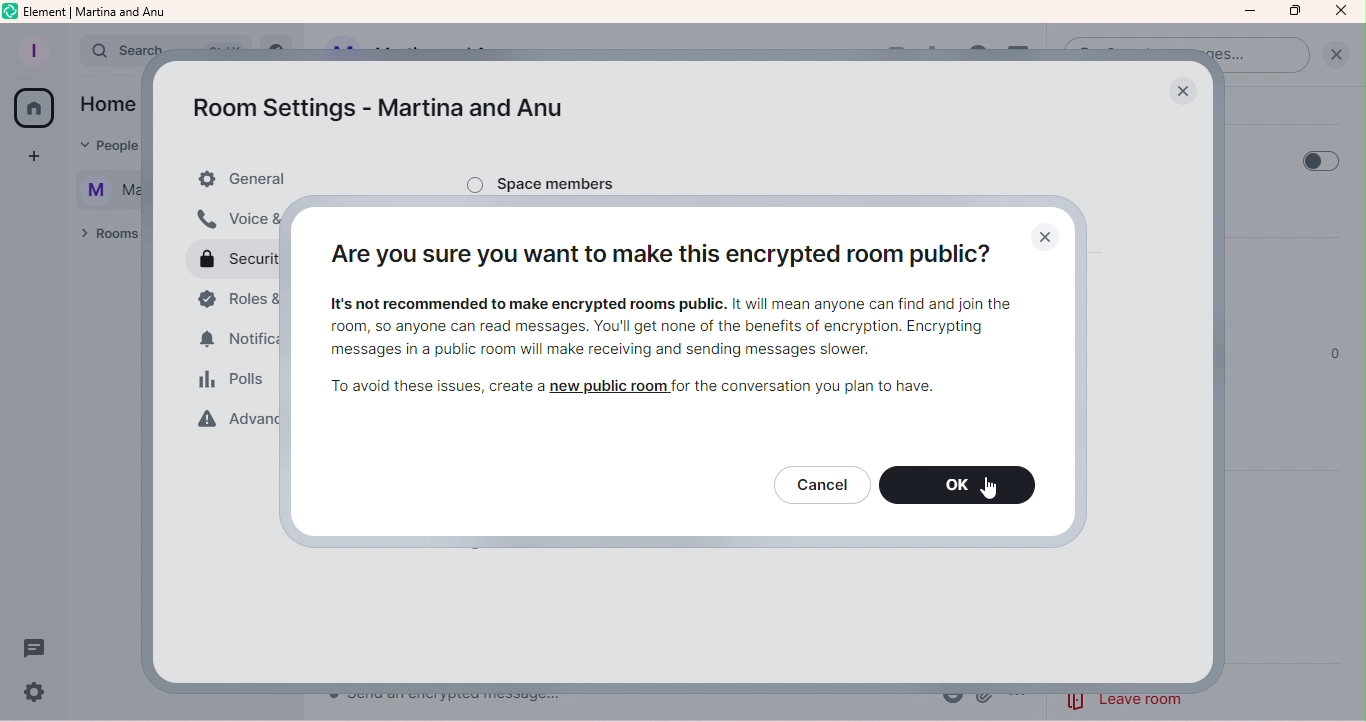  I want to click on Polls, so click(230, 381).